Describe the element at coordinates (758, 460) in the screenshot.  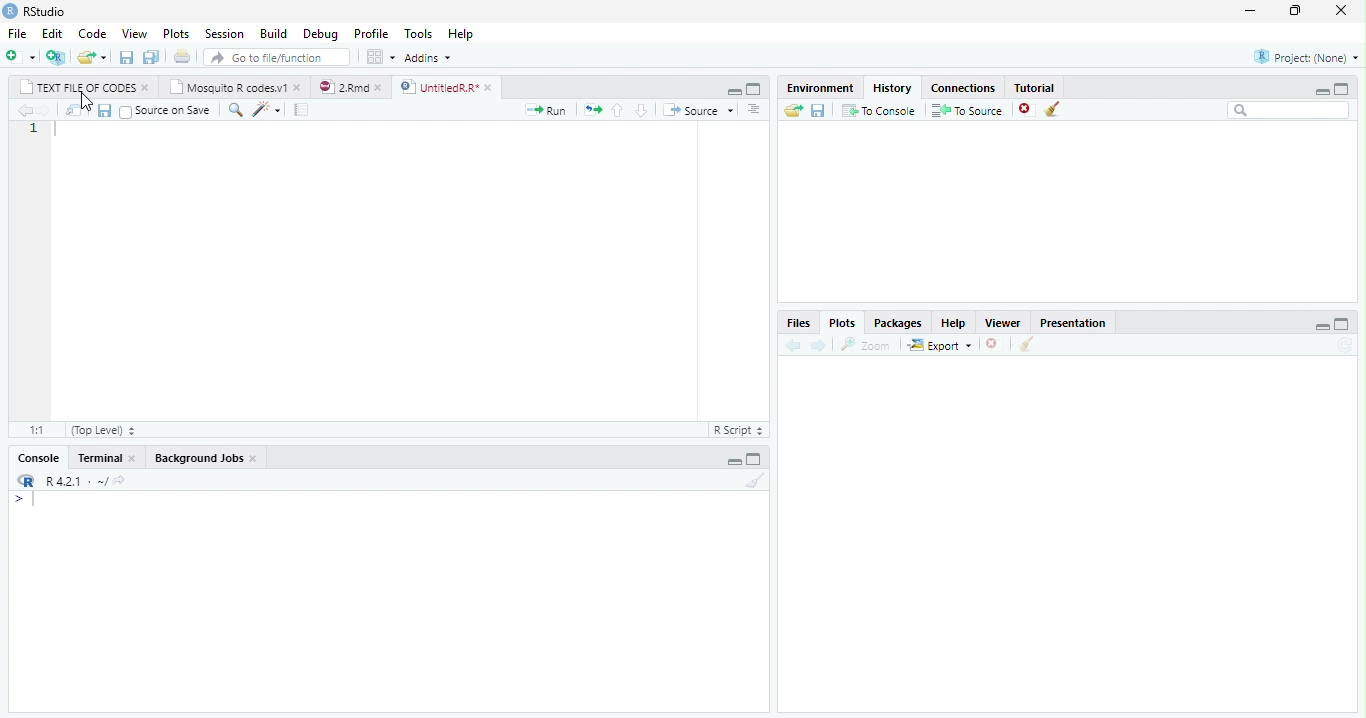
I see `maximize` at that location.